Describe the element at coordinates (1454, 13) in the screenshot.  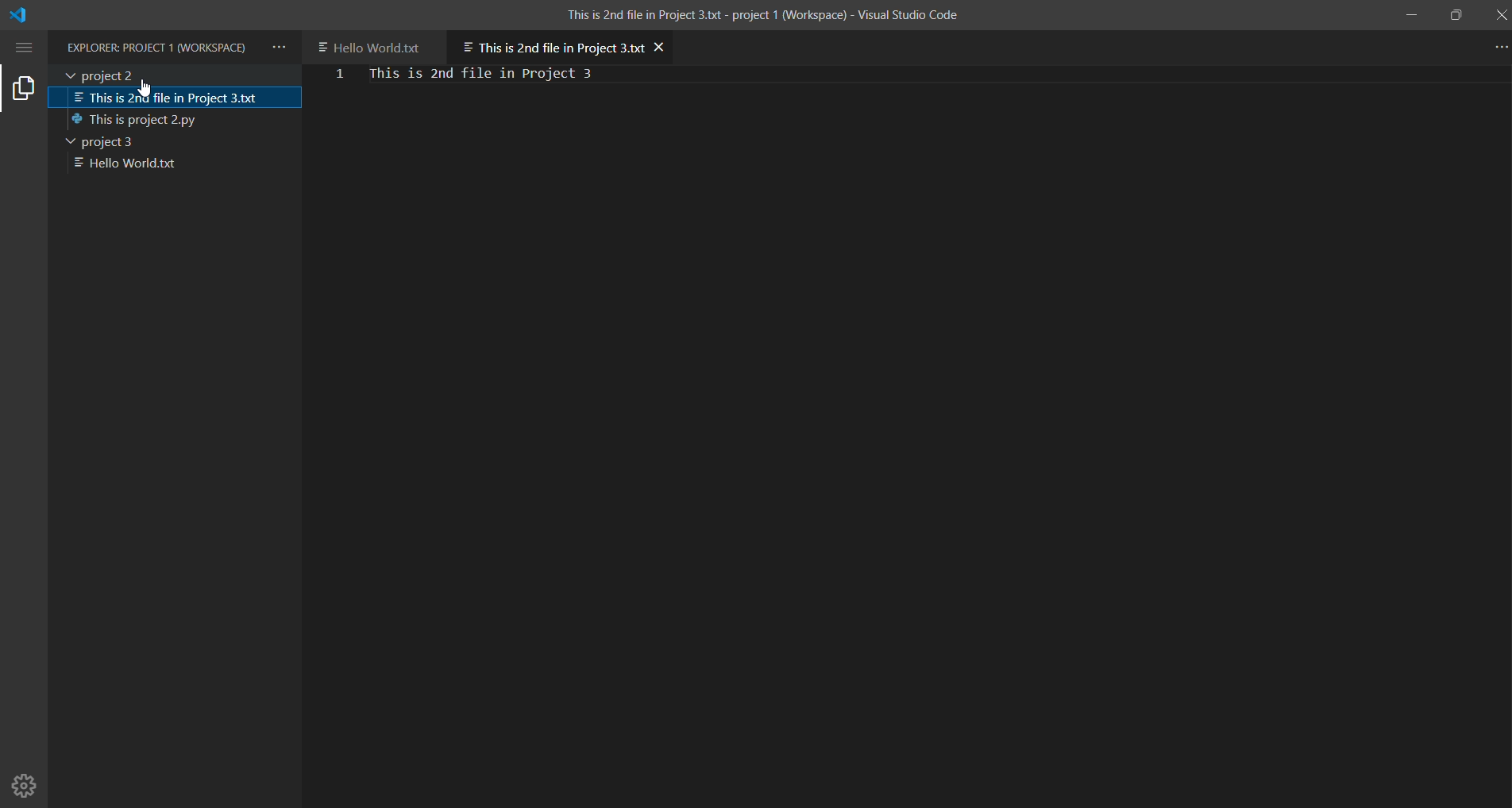
I see `maximize` at that location.